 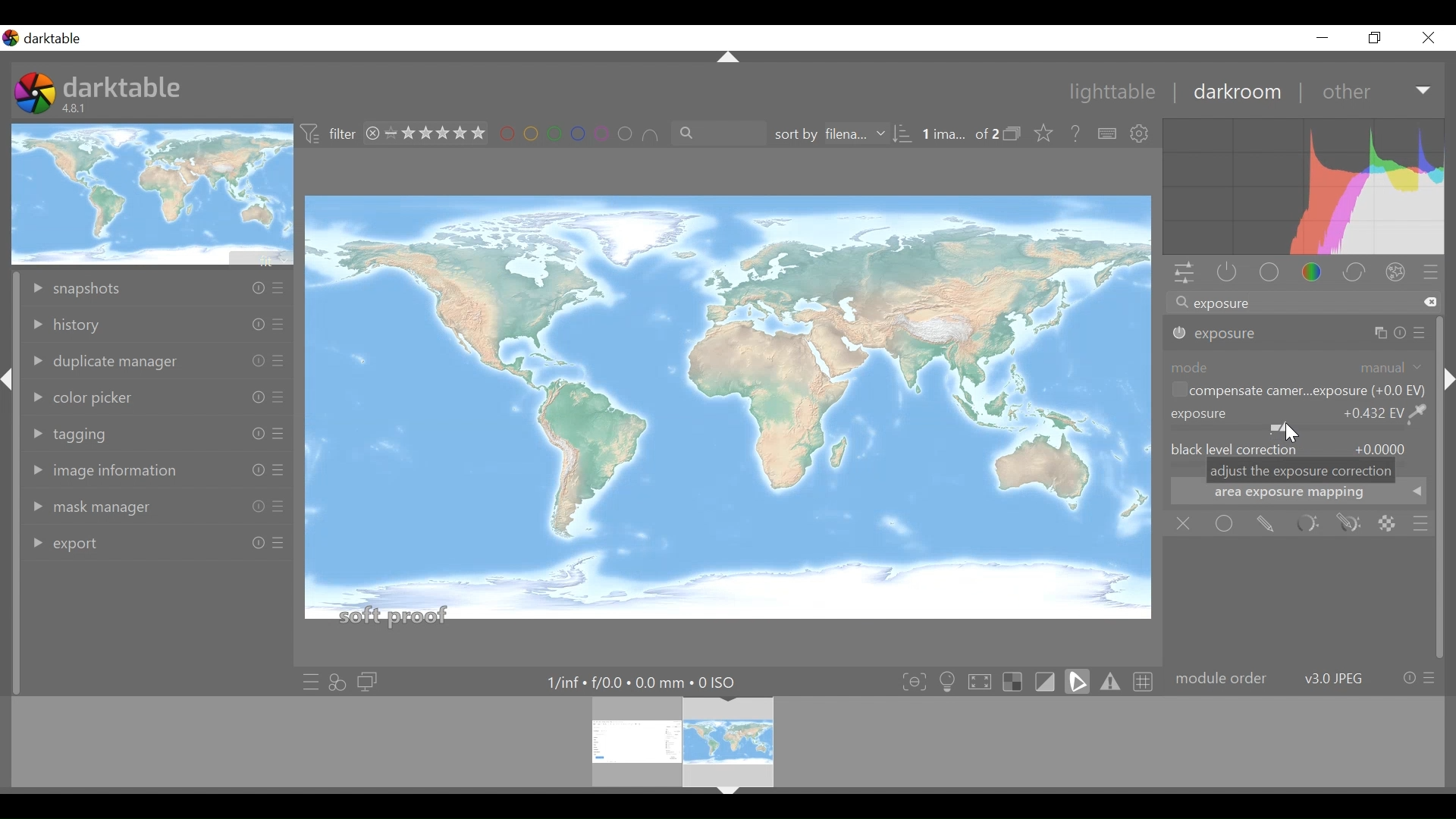 I want to click on exposure correction, so click(x=1298, y=419).